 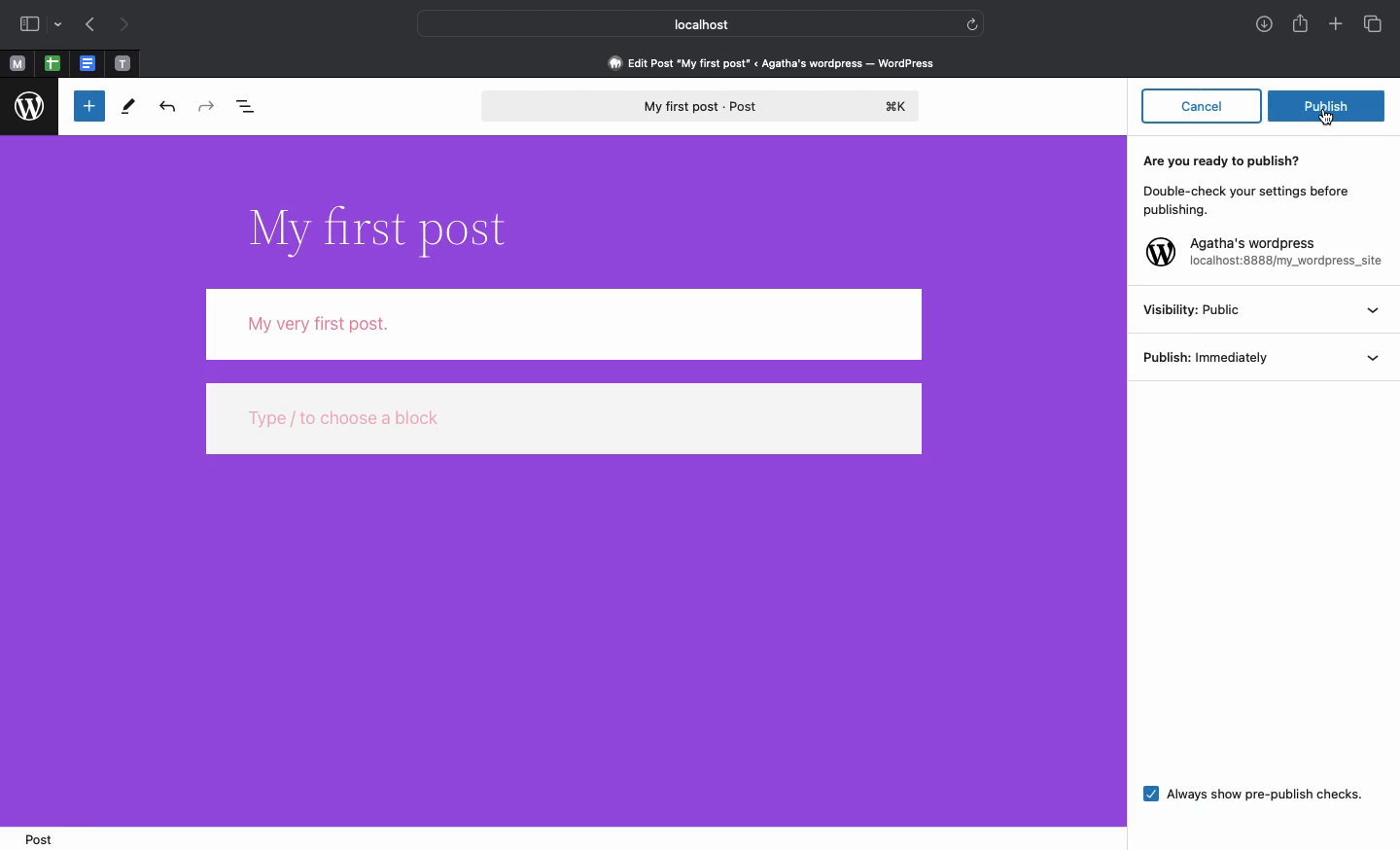 What do you see at coordinates (55, 64) in the screenshot?
I see `pinned tabs` at bounding box center [55, 64].